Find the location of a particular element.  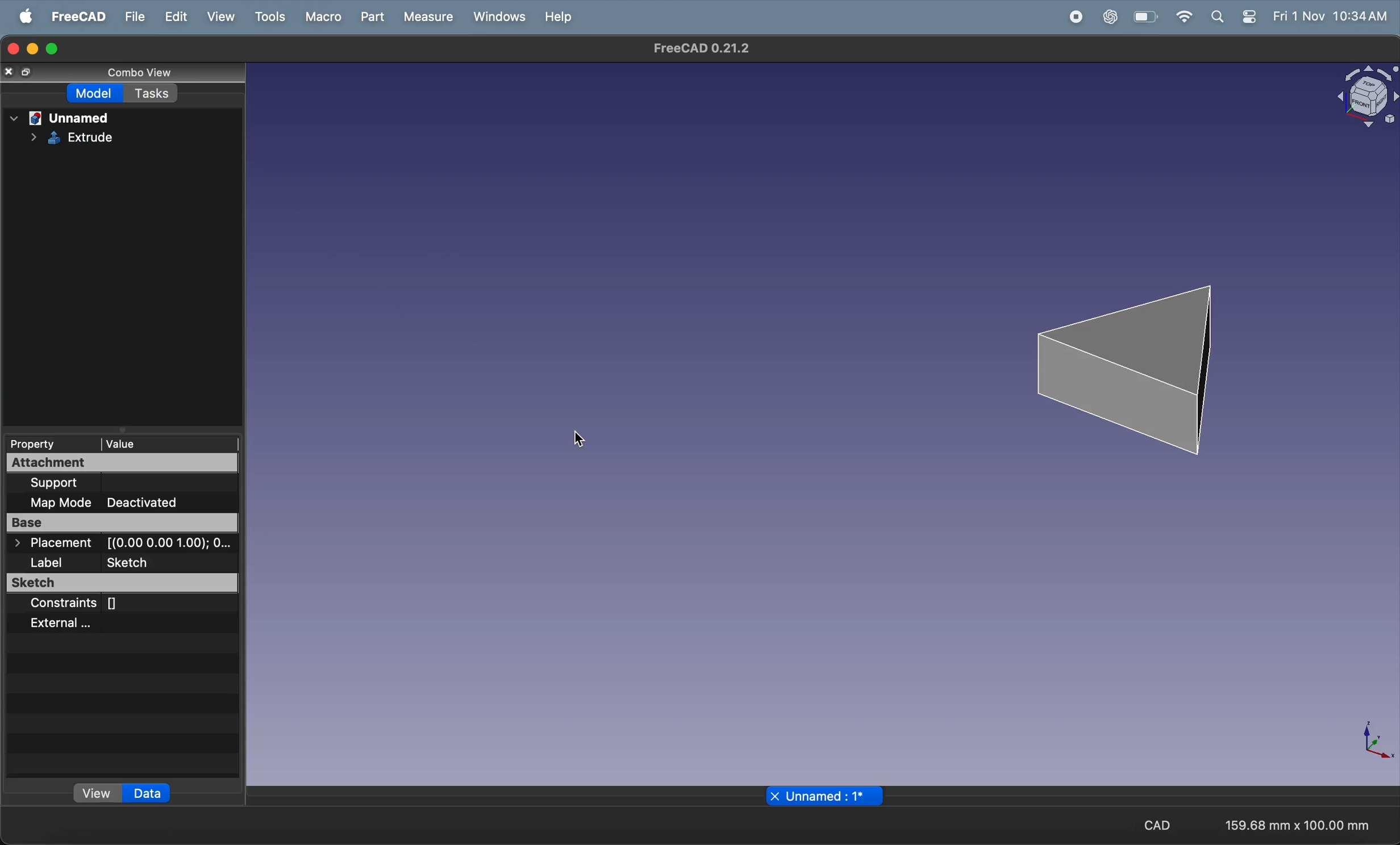

3D triangle is located at coordinates (1134, 363).